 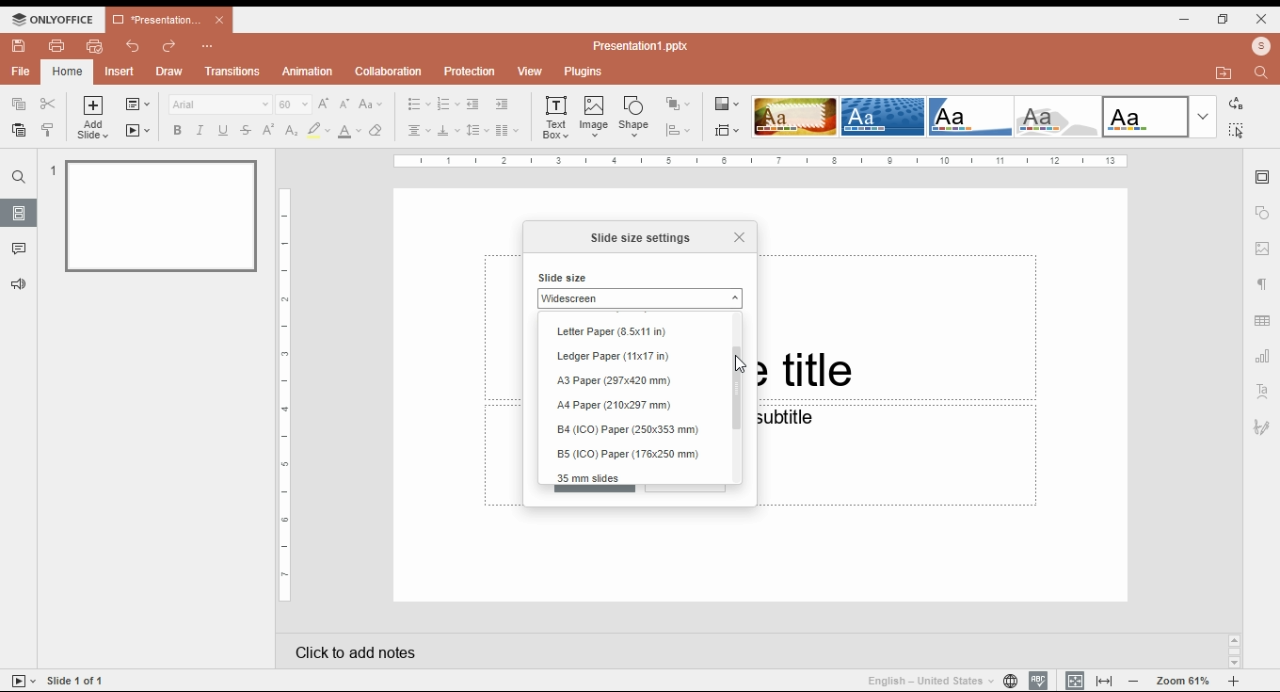 I want to click on profile, so click(x=1261, y=46).